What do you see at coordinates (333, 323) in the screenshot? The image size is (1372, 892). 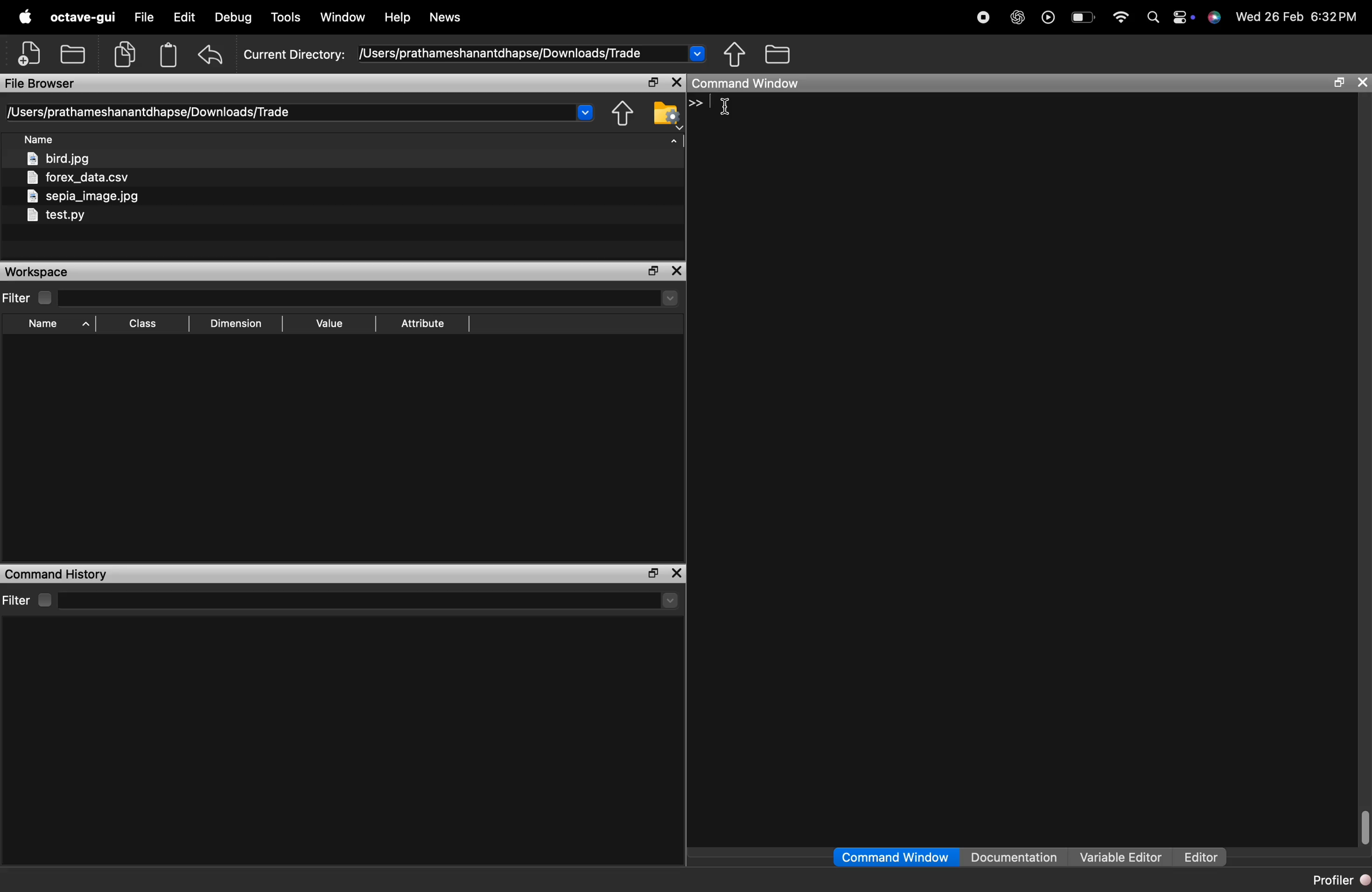 I see `value` at bounding box center [333, 323].